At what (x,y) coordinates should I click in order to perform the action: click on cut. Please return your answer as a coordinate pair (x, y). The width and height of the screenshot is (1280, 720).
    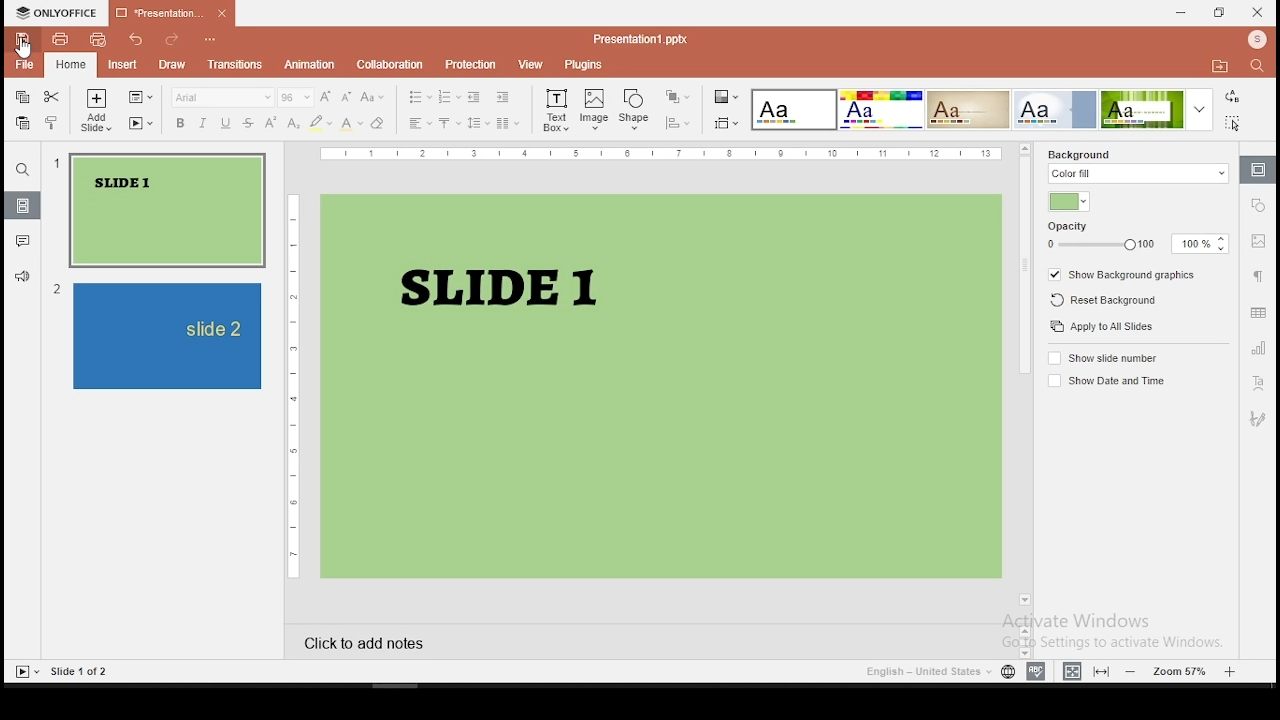
    Looking at the image, I should click on (51, 96).